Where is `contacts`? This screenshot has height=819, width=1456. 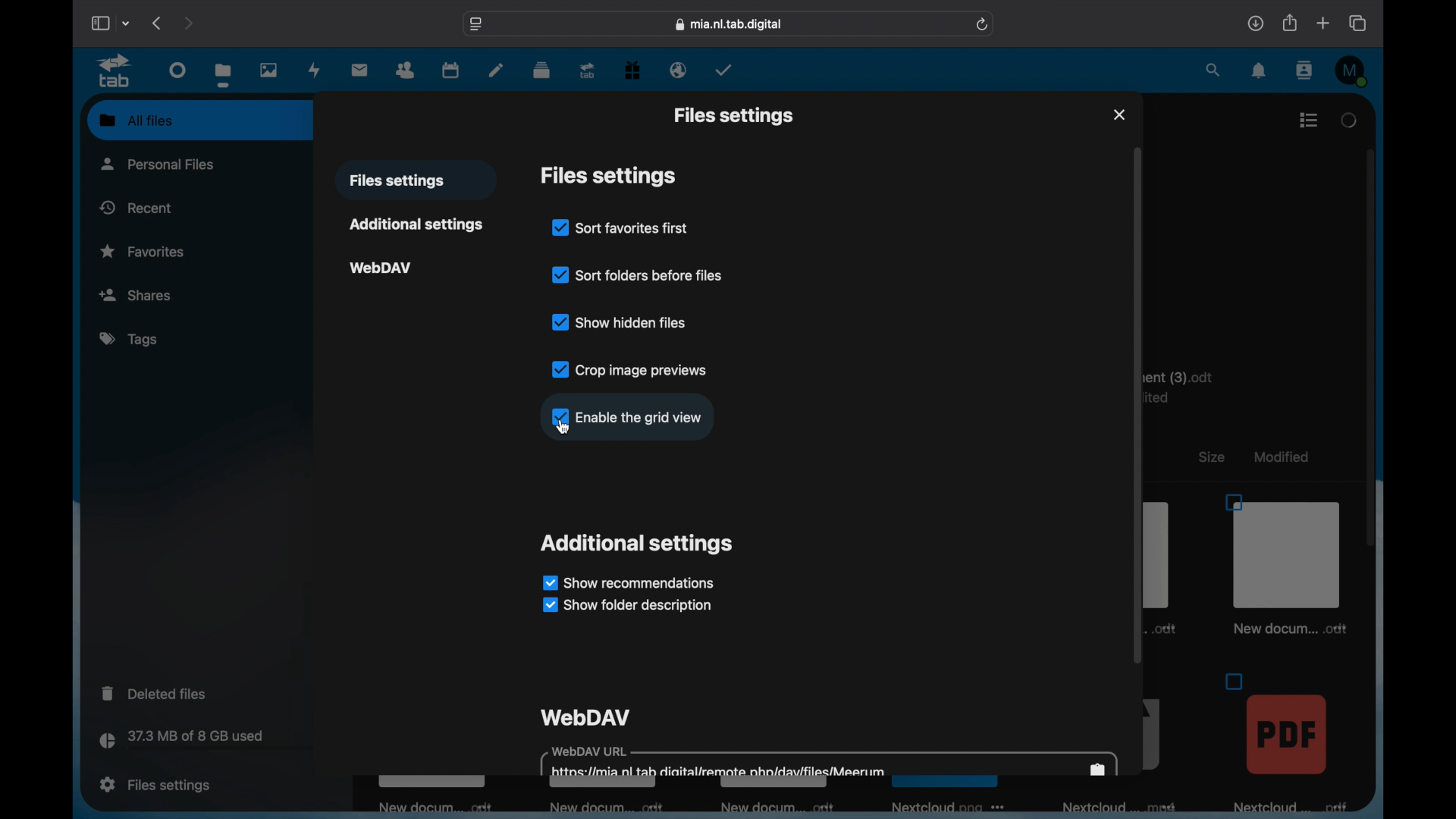
contacts is located at coordinates (406, 69).